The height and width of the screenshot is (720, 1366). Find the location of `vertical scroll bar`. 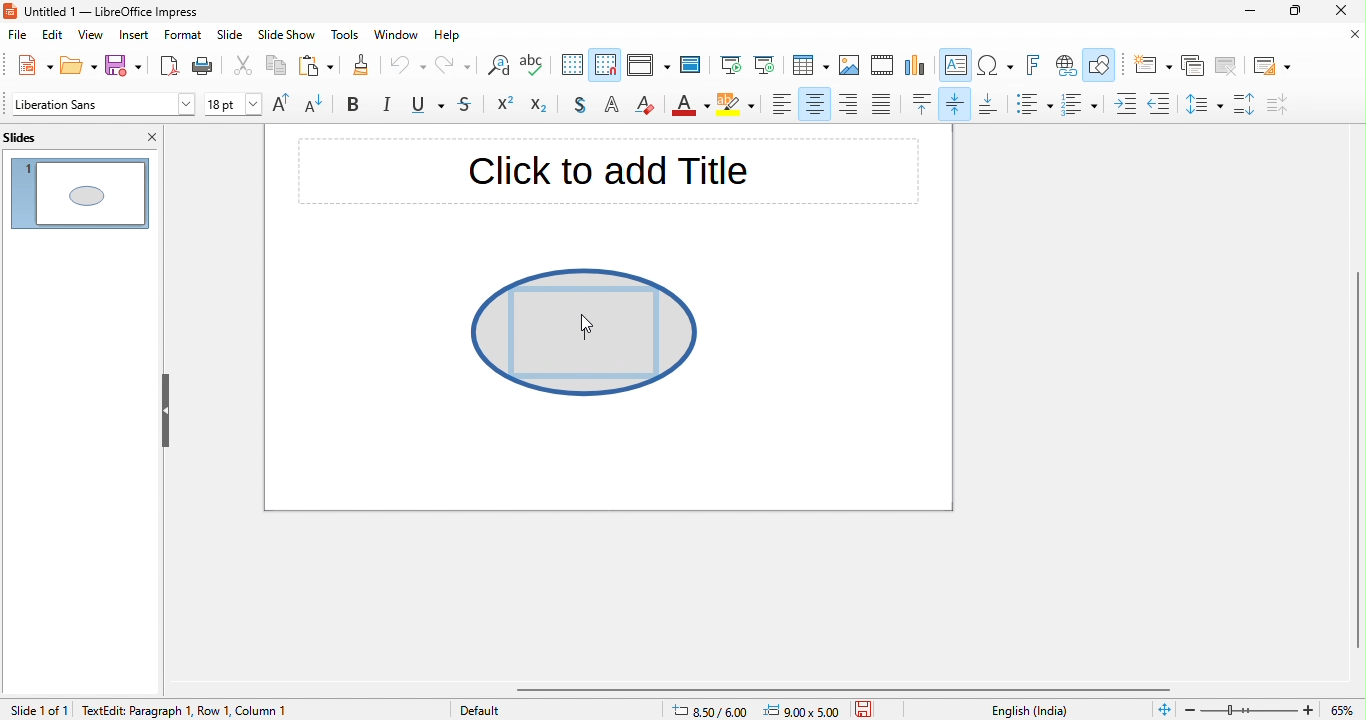

vertical scroll bar is located at coordinates (1355, 448).